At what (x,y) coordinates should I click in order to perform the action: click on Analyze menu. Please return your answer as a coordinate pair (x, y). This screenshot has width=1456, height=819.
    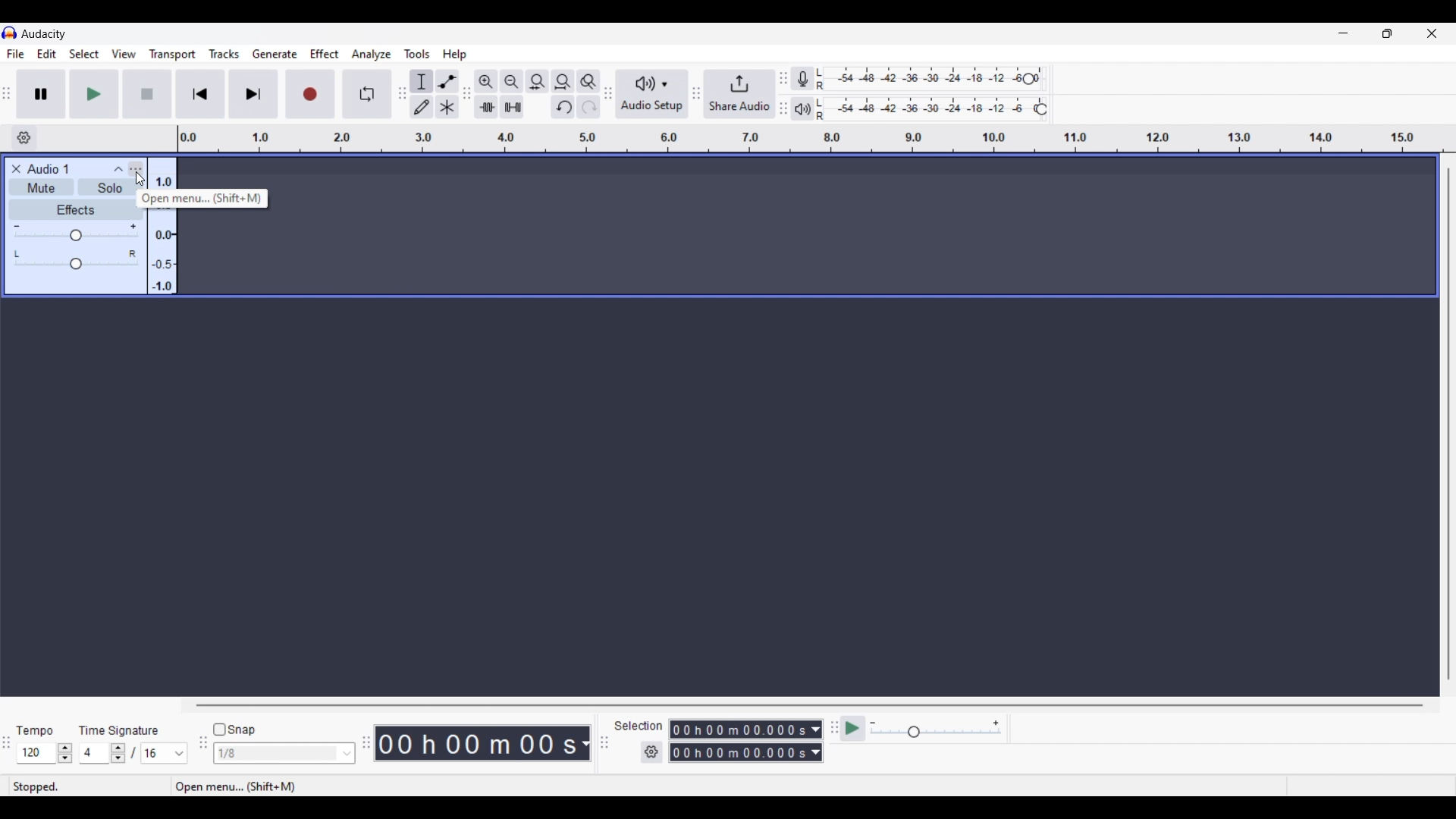
    Looking at the image, I should click on (372, 54).